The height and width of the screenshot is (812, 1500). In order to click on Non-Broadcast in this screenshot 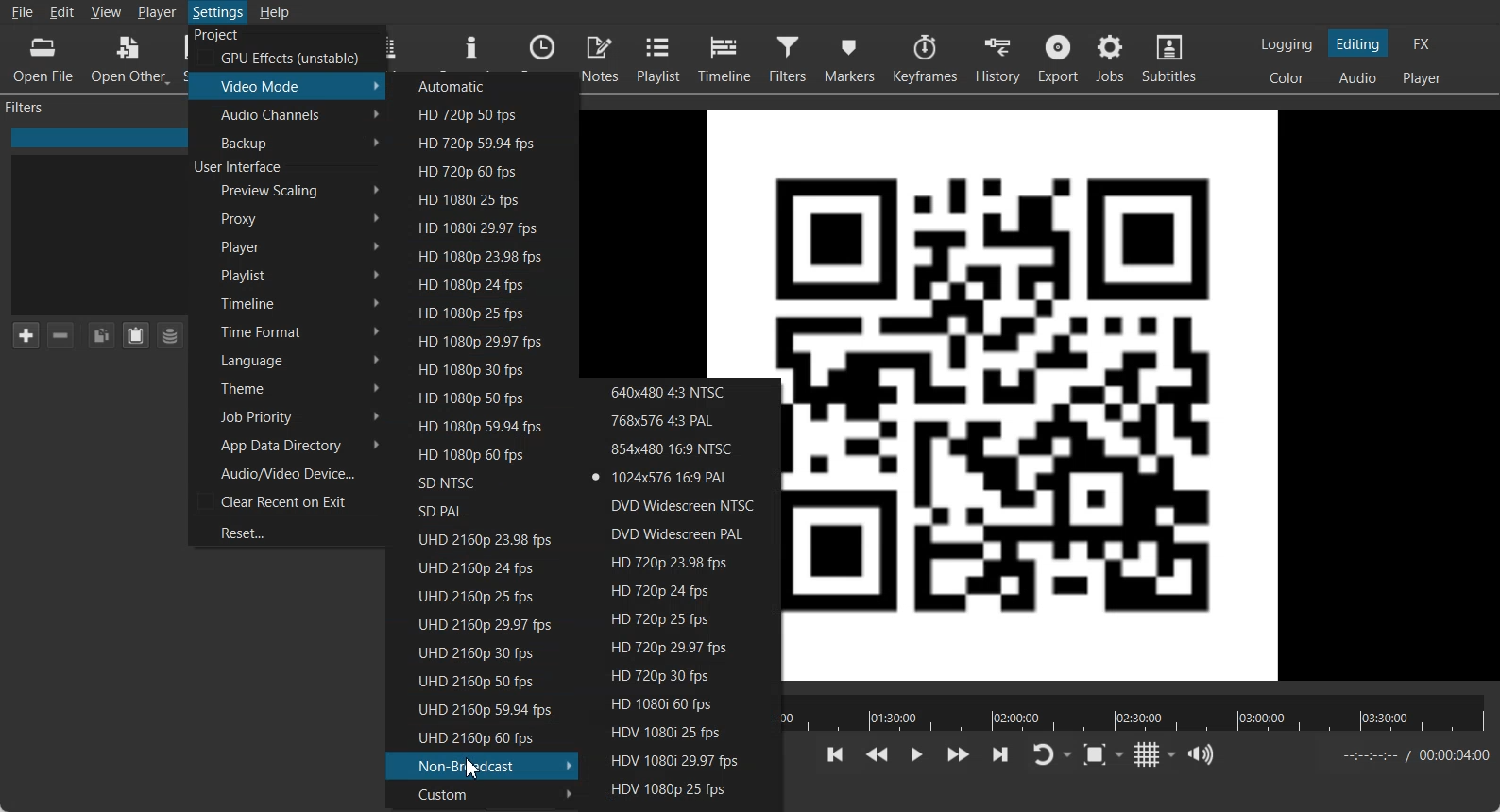, I will do `click(483, 765)`.